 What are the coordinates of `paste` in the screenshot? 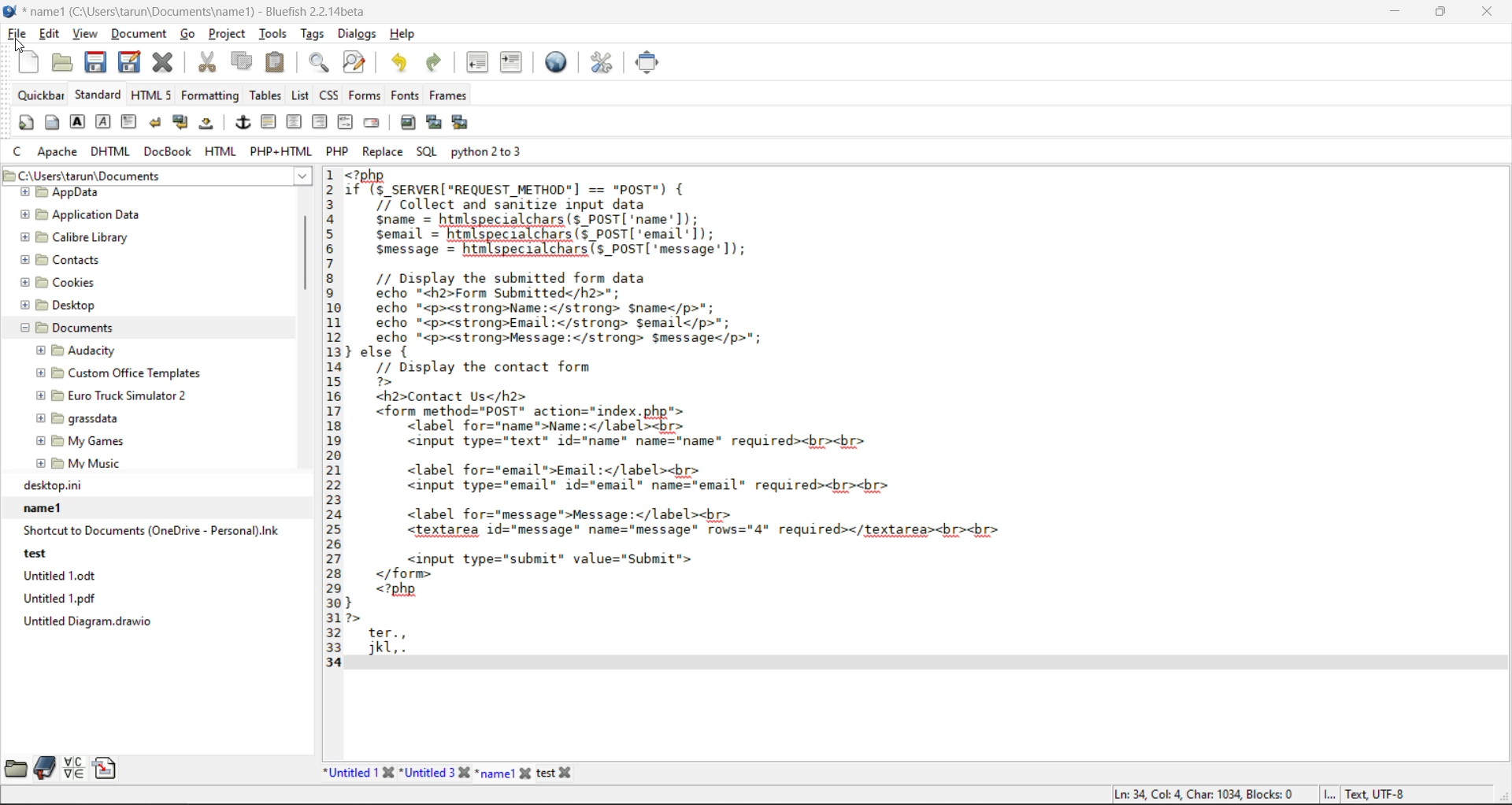 It's located at (280, 63).